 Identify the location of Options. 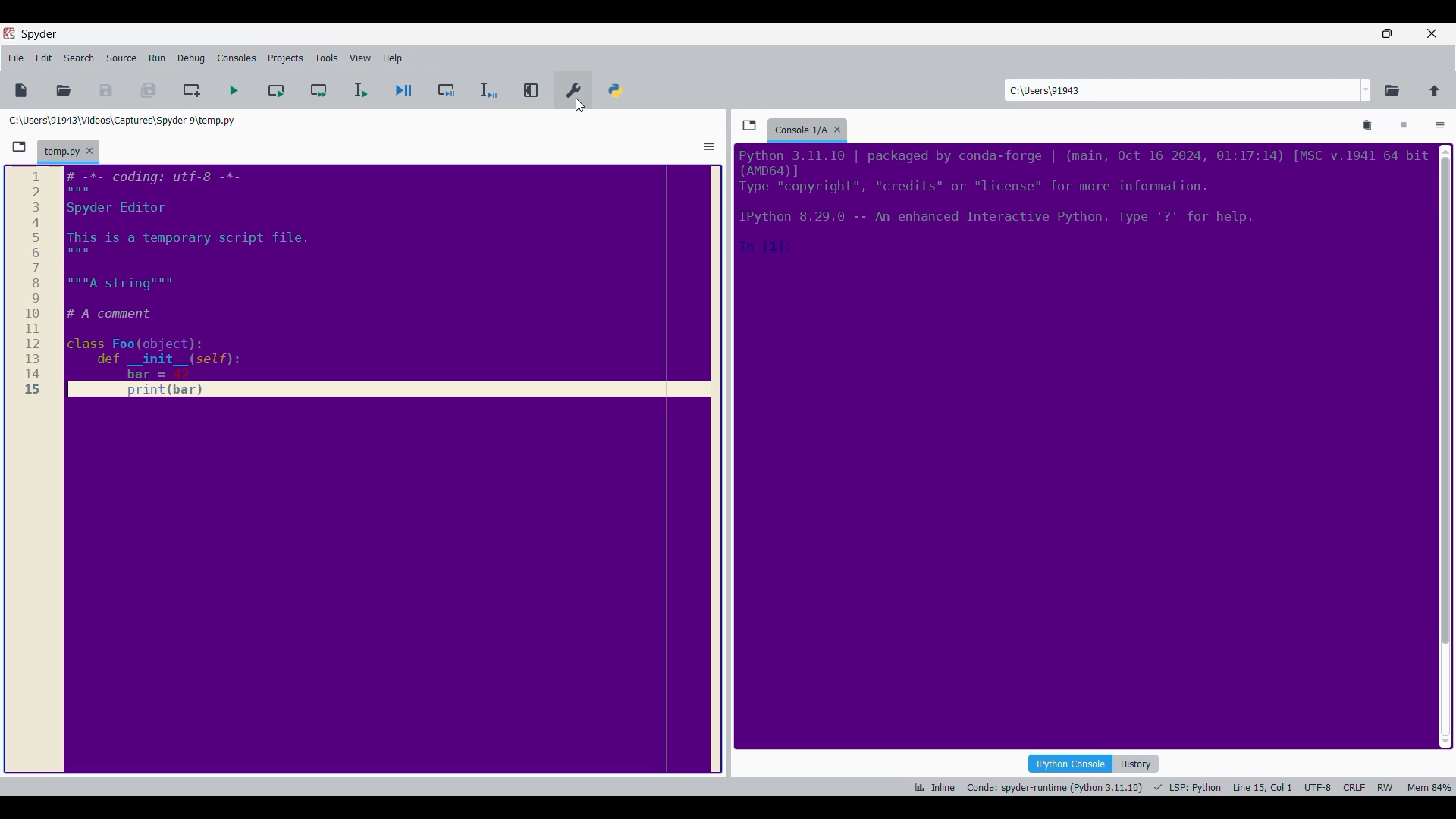
(709, 147).